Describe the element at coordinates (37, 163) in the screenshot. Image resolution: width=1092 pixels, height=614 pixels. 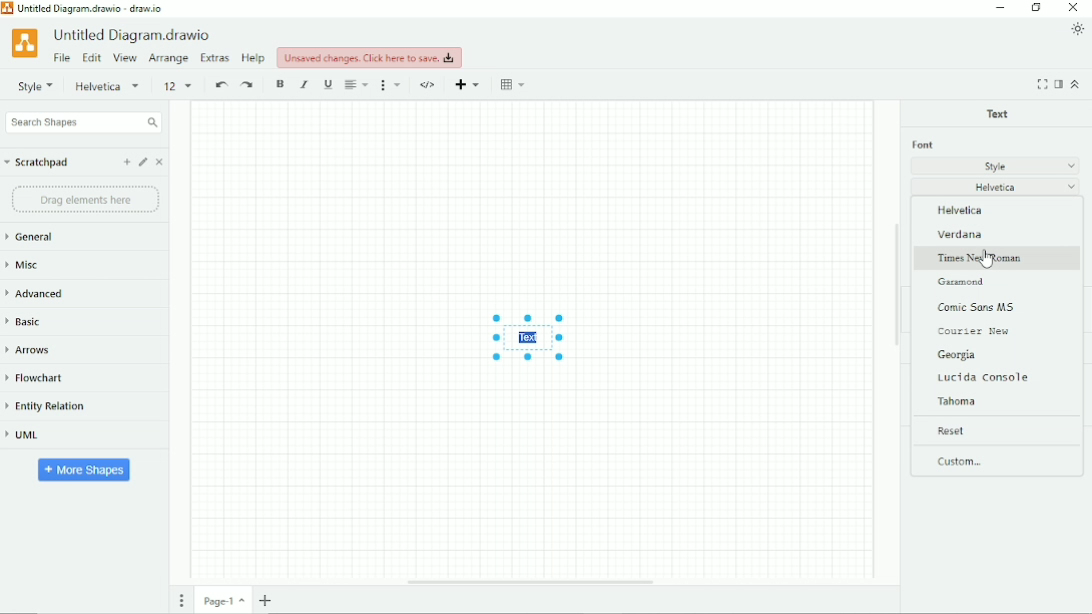
I see `Scratchpad` at that location.